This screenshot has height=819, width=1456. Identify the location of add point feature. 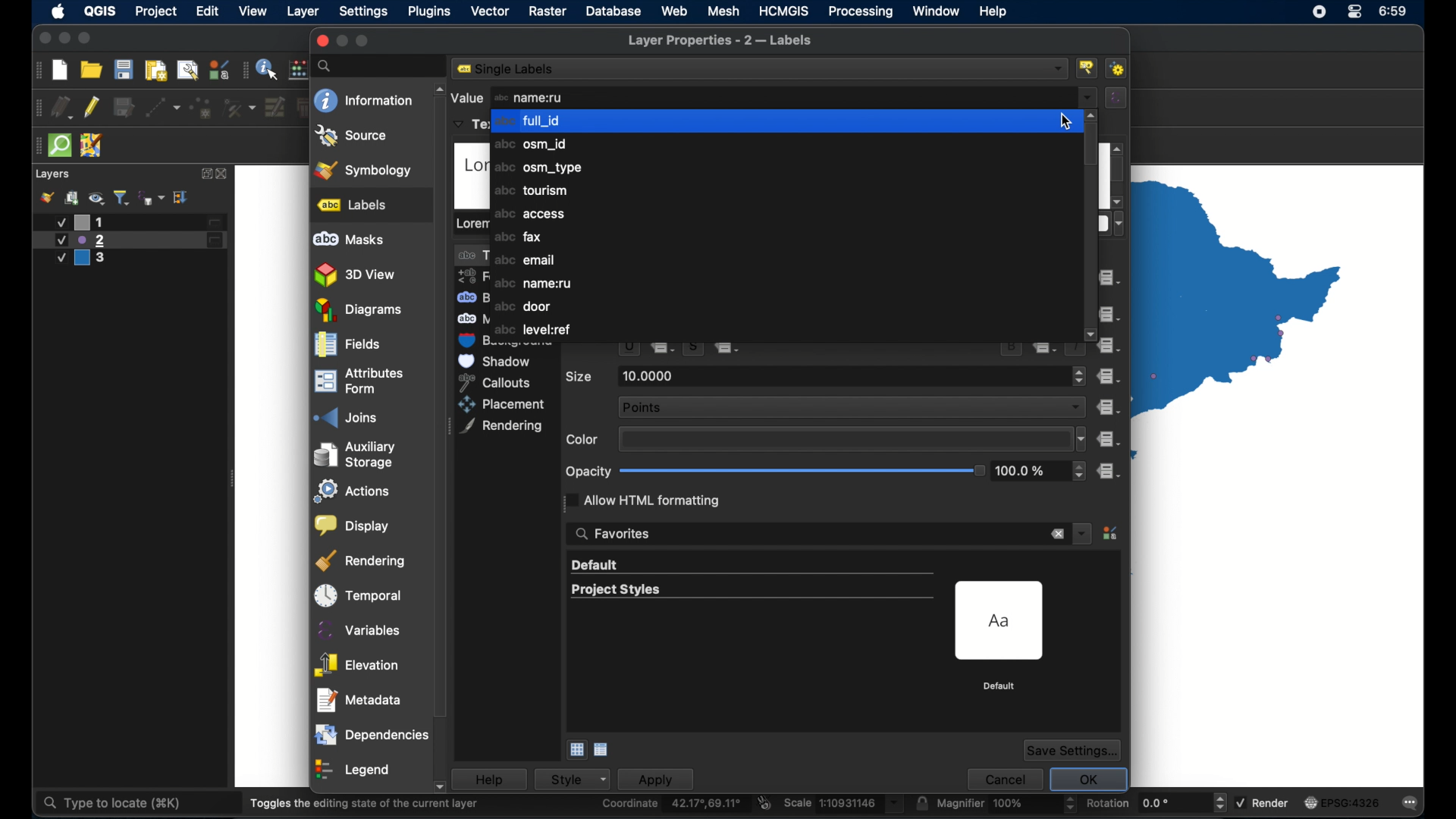
(202, 108).